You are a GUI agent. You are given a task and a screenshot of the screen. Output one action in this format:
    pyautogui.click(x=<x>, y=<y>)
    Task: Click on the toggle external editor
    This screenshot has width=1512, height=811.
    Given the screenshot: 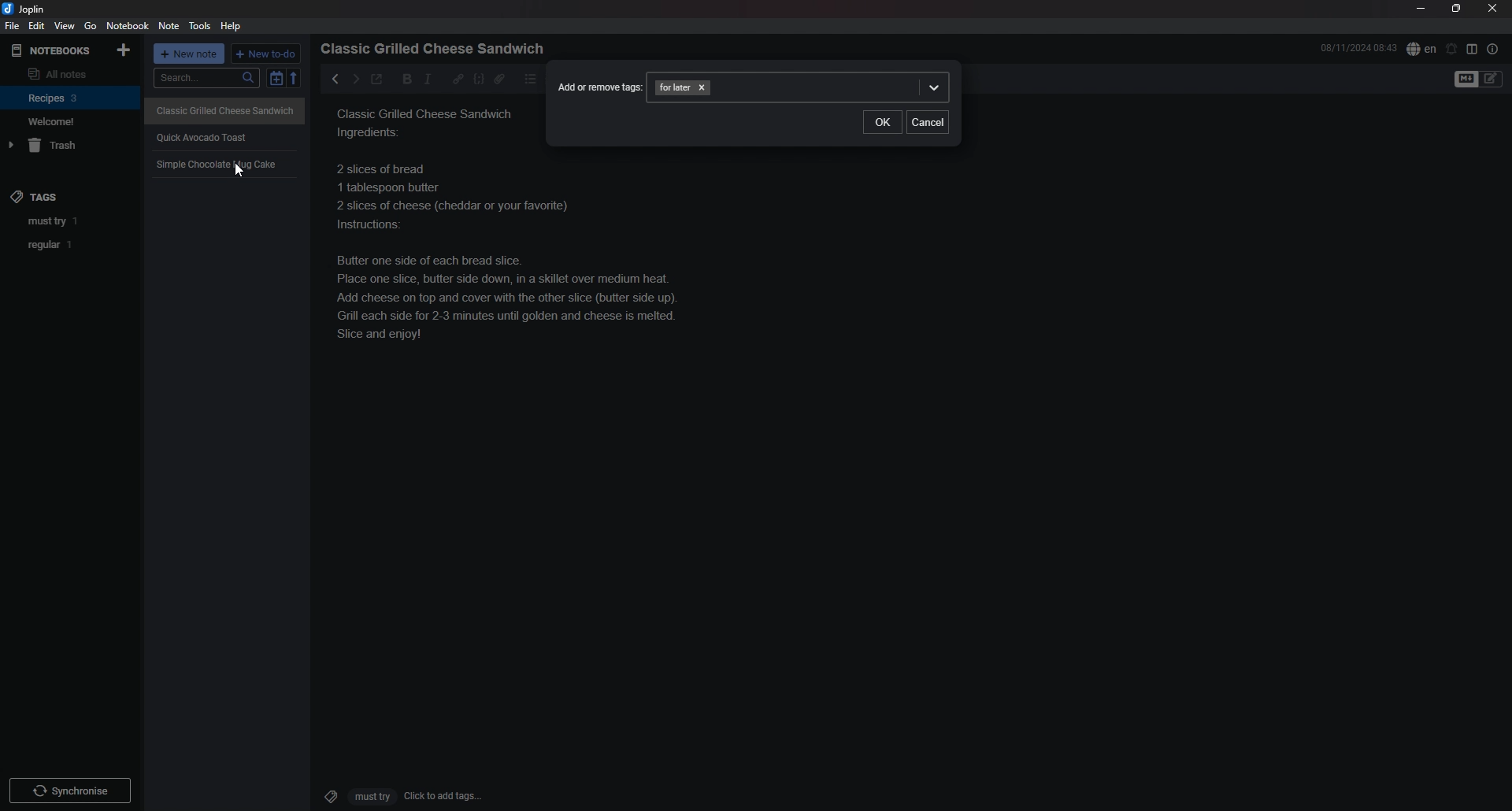 What is the action you would take?
    pyautogui.click(x=376, y=81)
    